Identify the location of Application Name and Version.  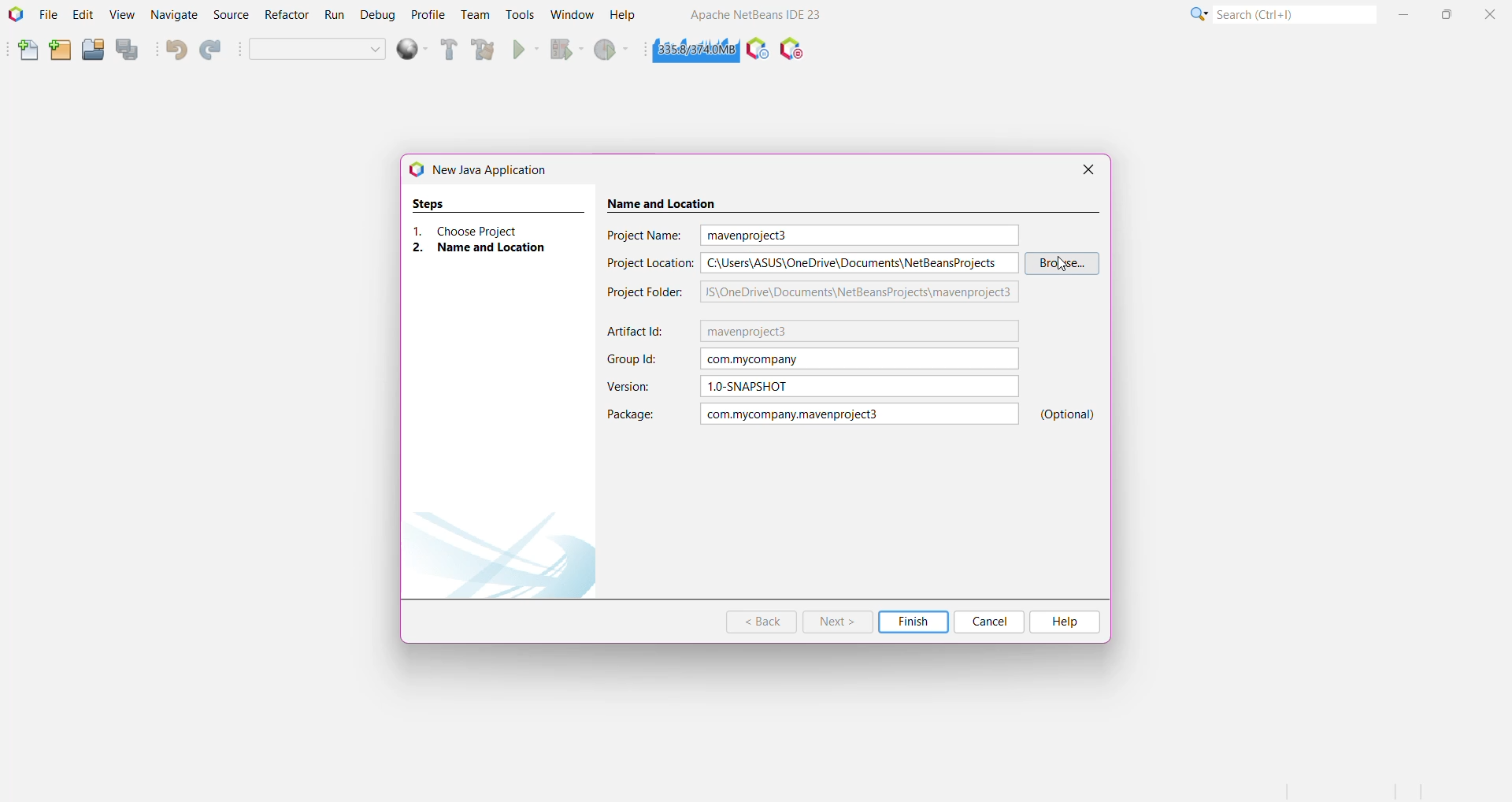
(758, 16).